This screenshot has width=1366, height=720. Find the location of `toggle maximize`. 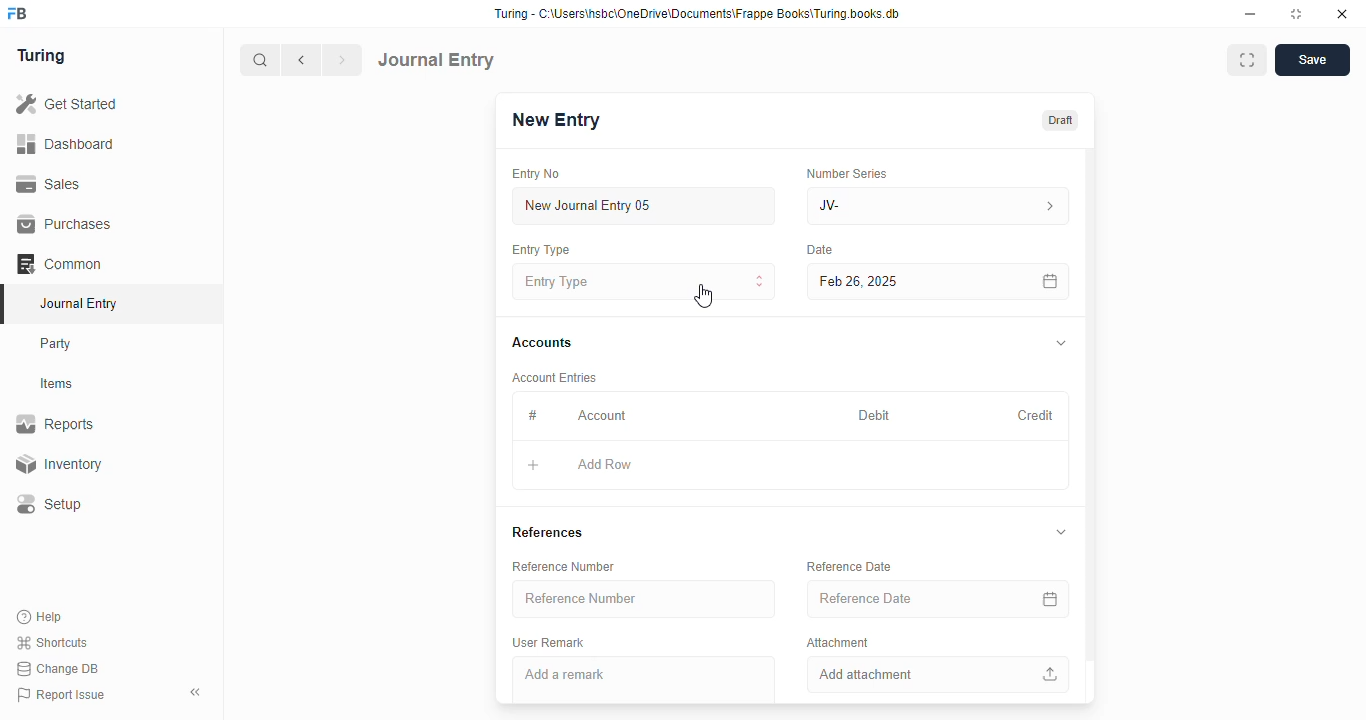

toggle maximize is located at coordinates (1296, 14).